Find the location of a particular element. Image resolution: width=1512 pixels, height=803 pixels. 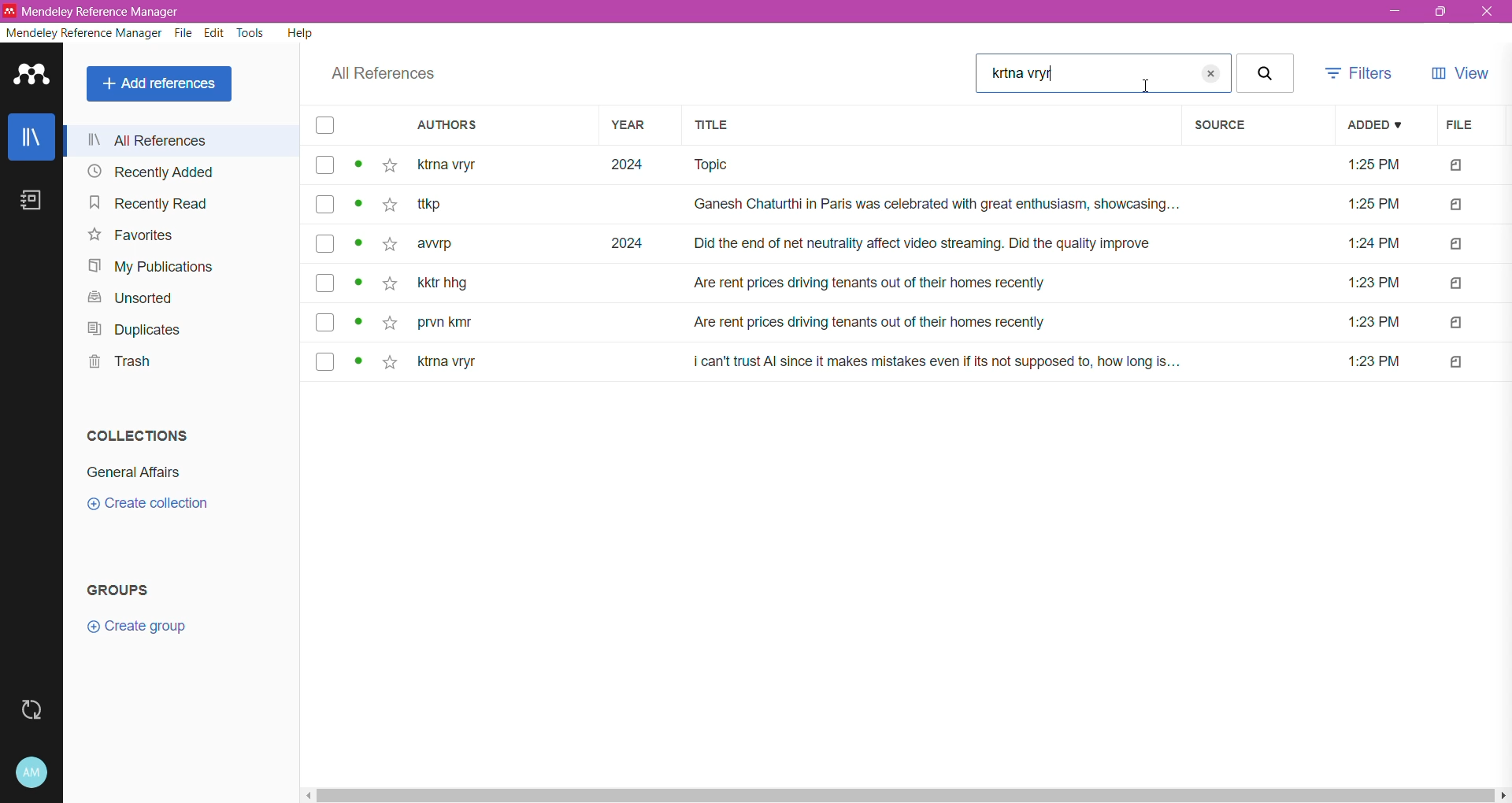

Mendeley Reference Manager is located at coordinates (83, 34).